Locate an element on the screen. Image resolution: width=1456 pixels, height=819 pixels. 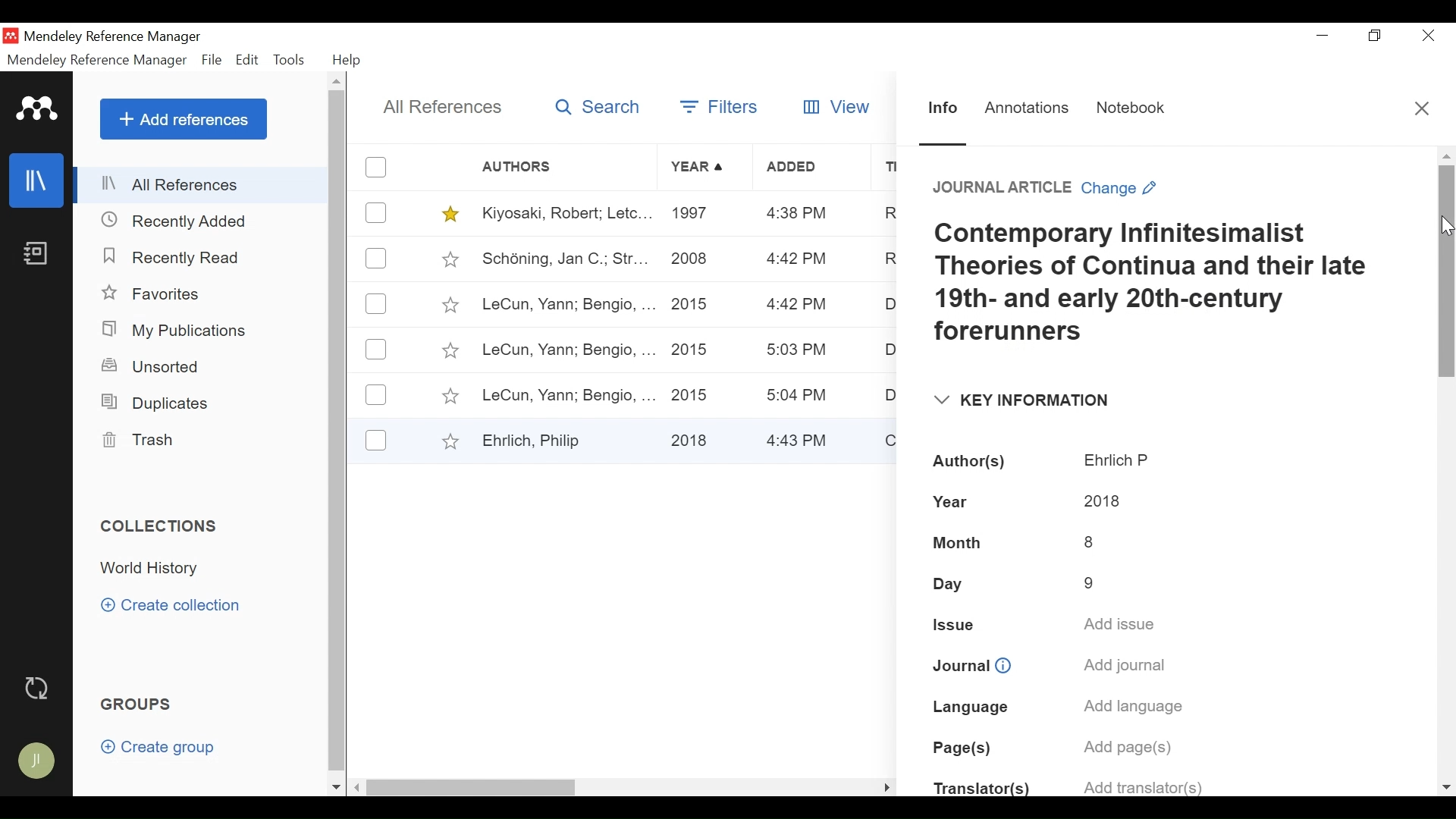
(un)select is located at coordinates (378, 167).